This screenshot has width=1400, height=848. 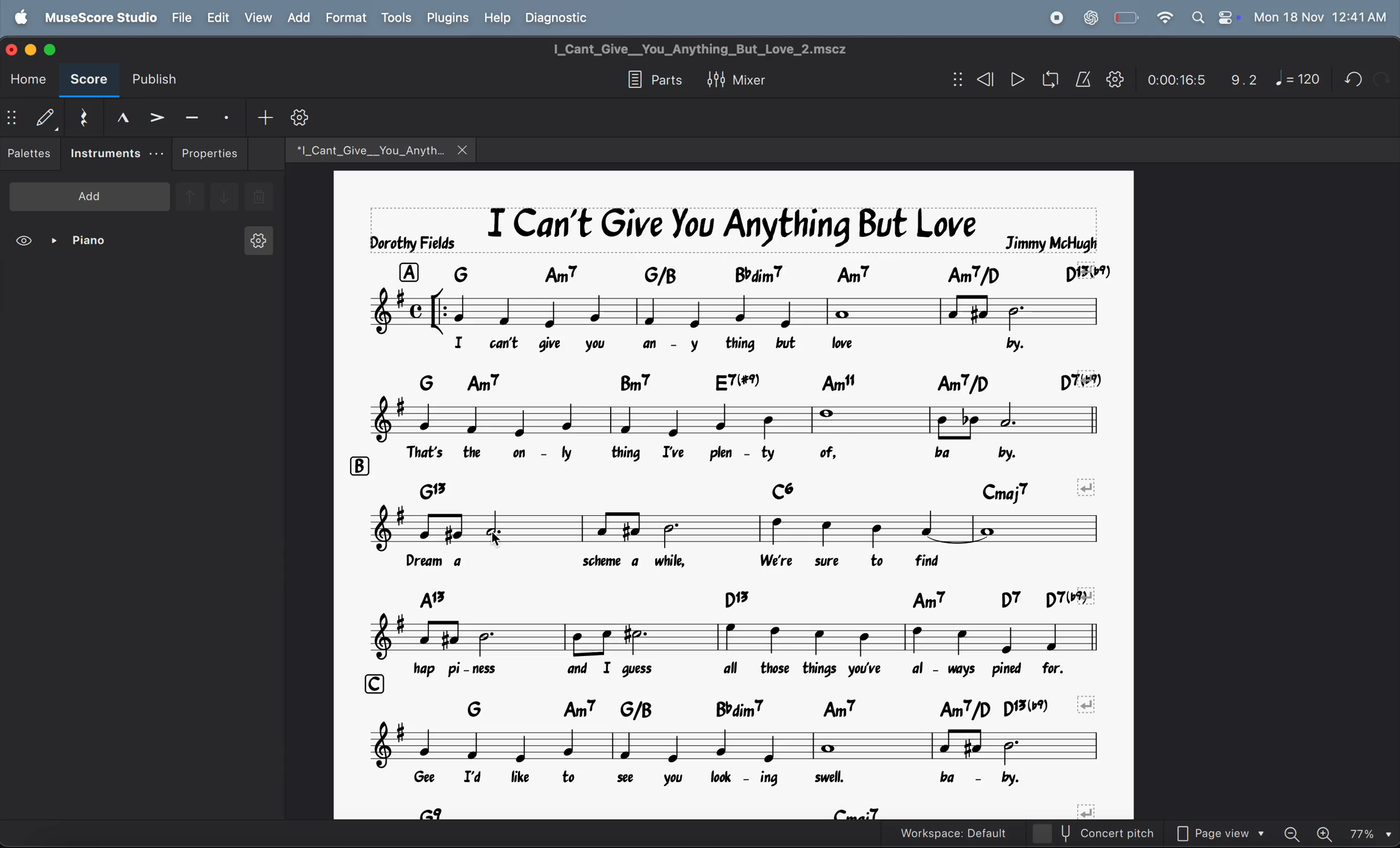 I want to click on pallettes, so click(x=30, y=154).